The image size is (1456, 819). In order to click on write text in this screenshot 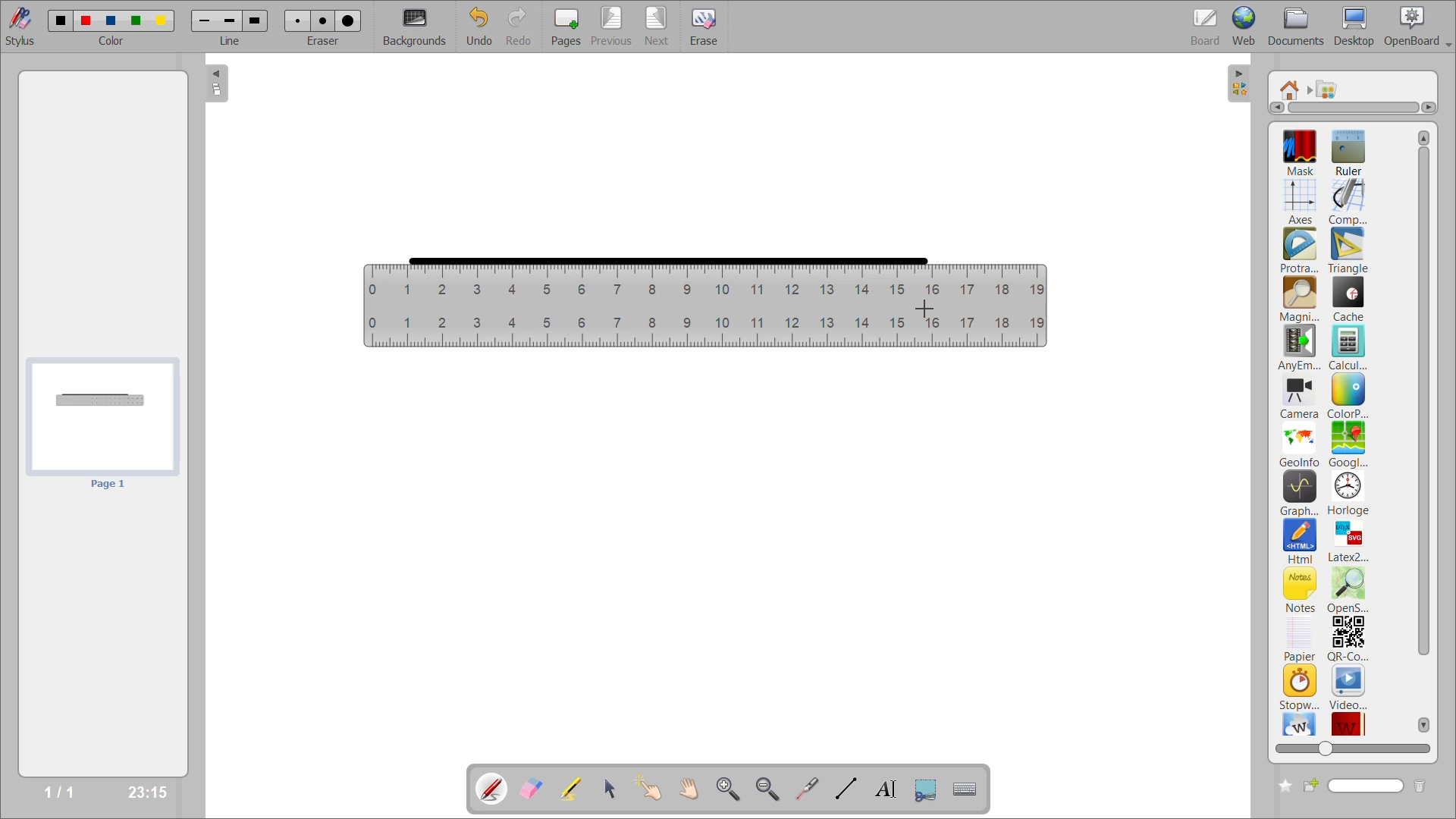, I will do `click(885, 789)`.